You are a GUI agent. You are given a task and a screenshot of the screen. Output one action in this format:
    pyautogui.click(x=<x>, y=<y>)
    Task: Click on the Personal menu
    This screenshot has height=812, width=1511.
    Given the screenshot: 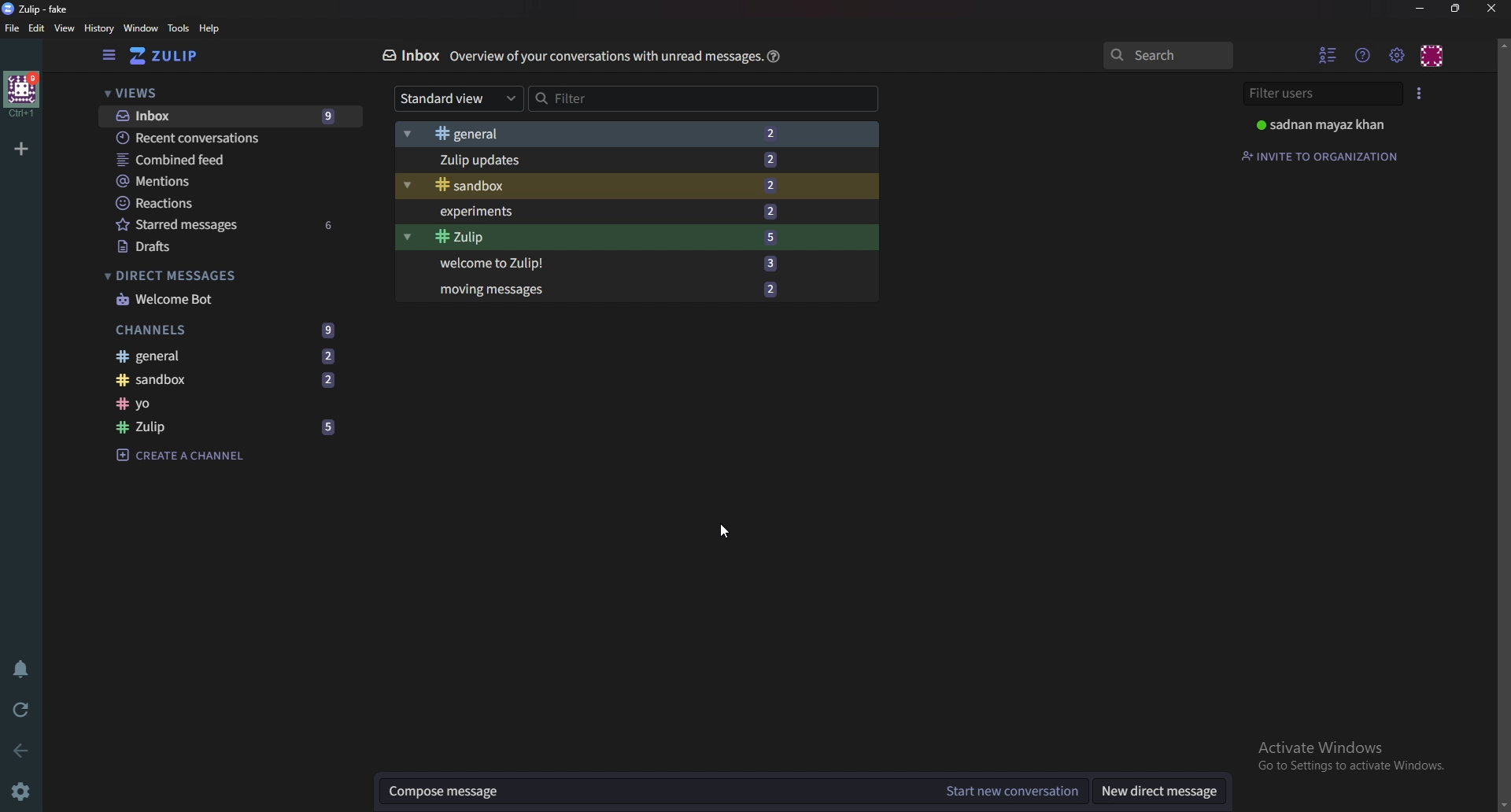 What is the action you would take?
    pyautogui.click(x=1435, y=55)
    